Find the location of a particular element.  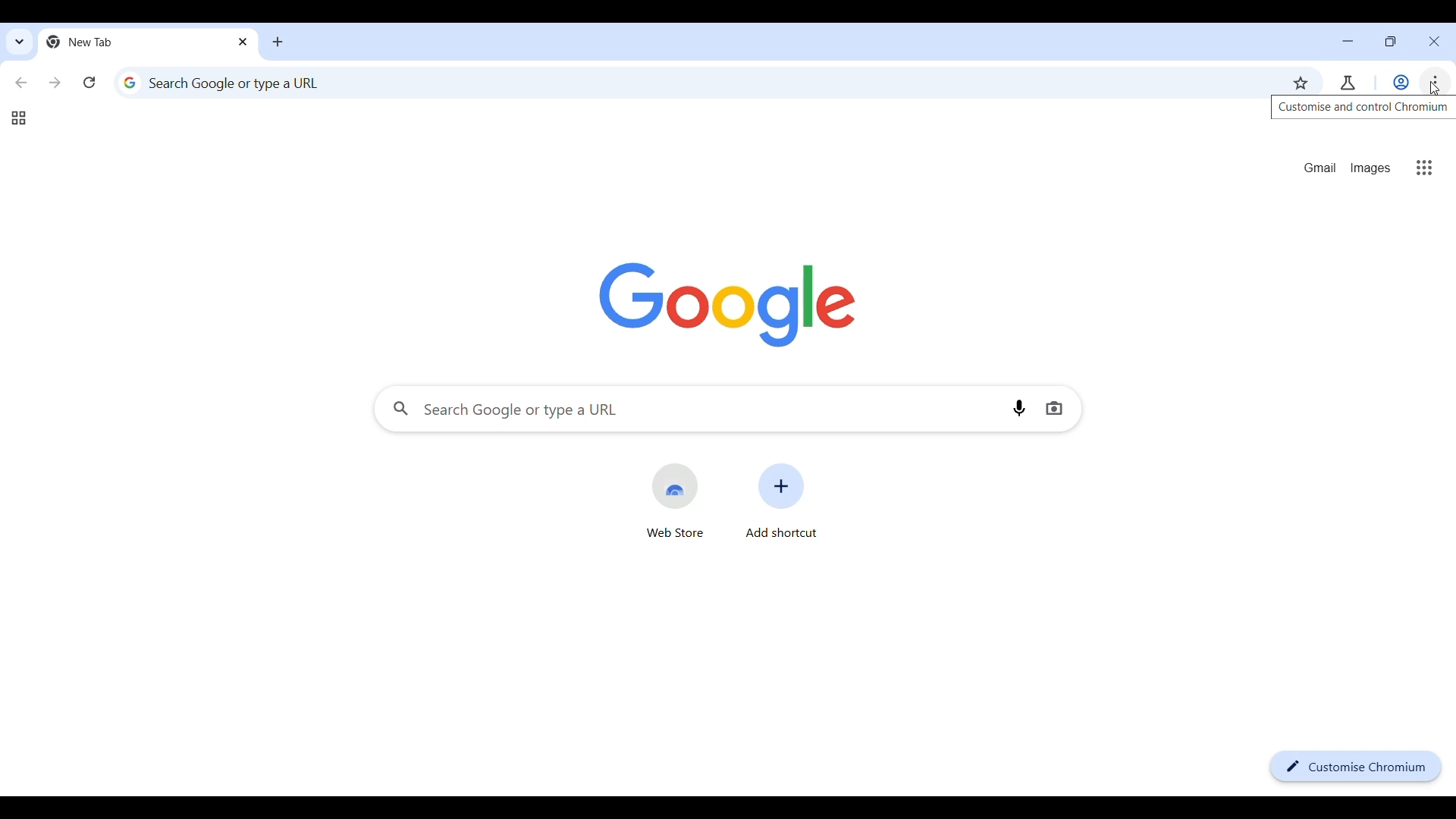

Add shortcut is located at coordinates (781, 500).